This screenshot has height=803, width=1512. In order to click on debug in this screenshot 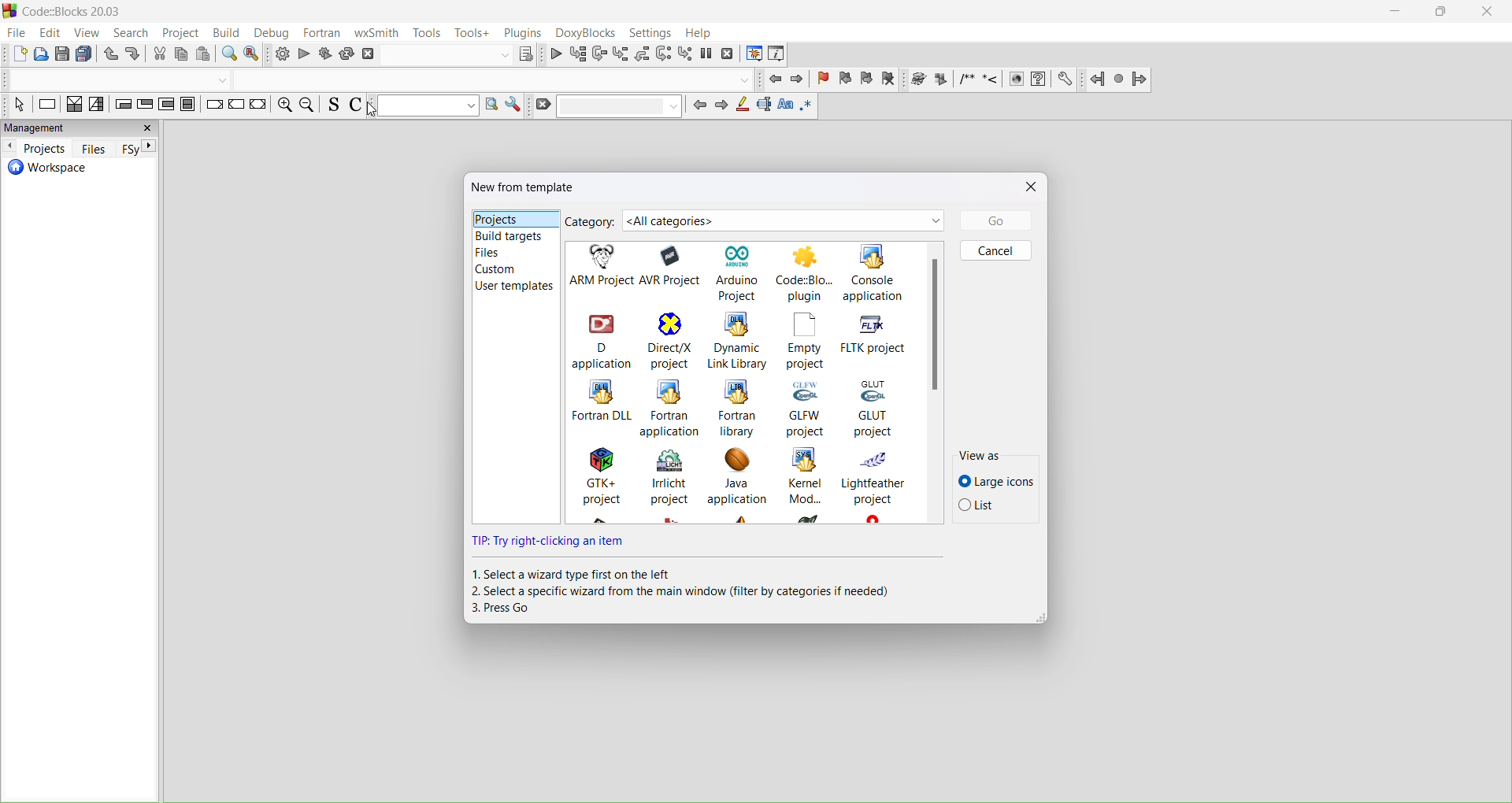, I will do `click(276, 33)`.